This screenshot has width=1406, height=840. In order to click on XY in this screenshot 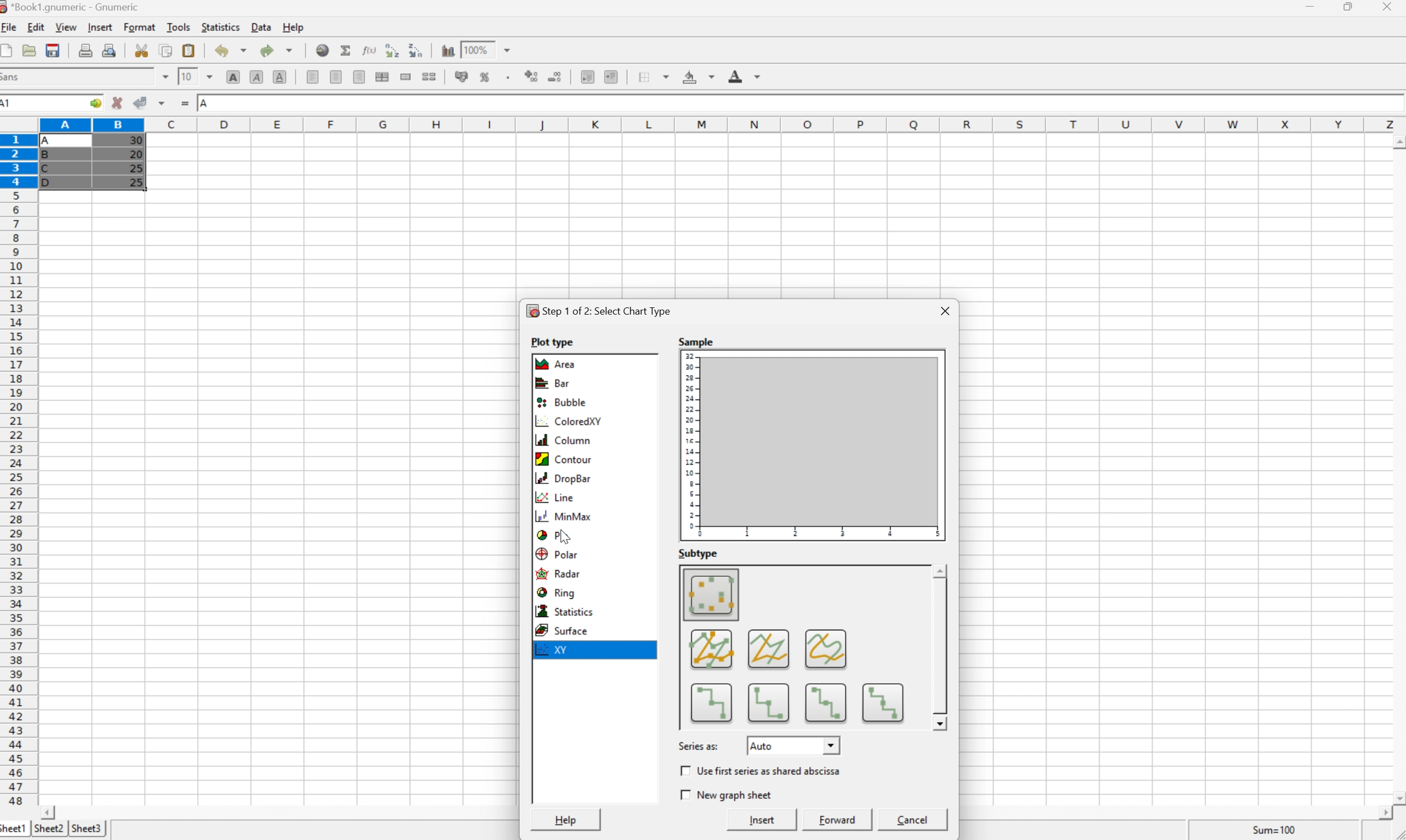, I will do `click(555, 650)`.